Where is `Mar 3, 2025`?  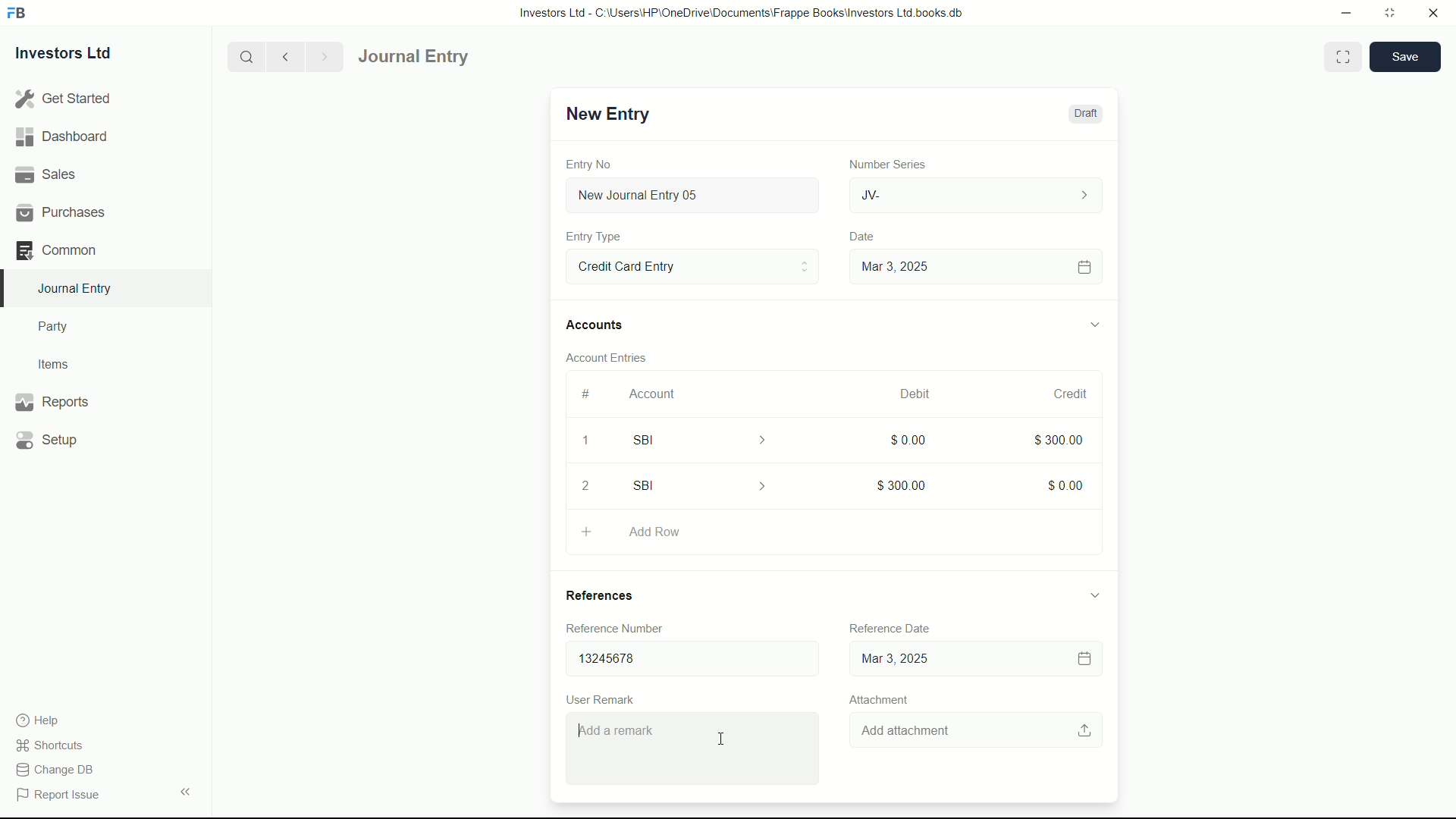 Mar 3, 2025 is located at coordinates (974, 266).